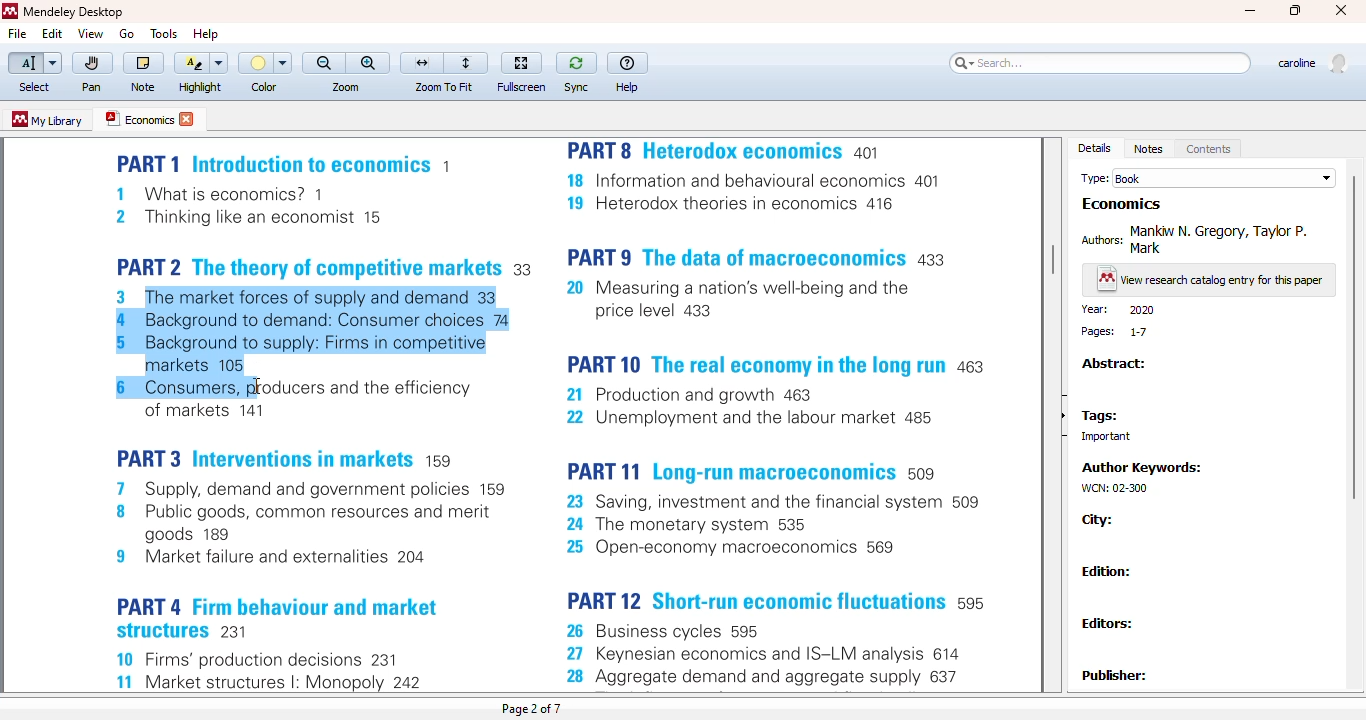  What do you see at coordinates (206, 33) in the screenshot?
I see `help` at bounding box center [206, 33].